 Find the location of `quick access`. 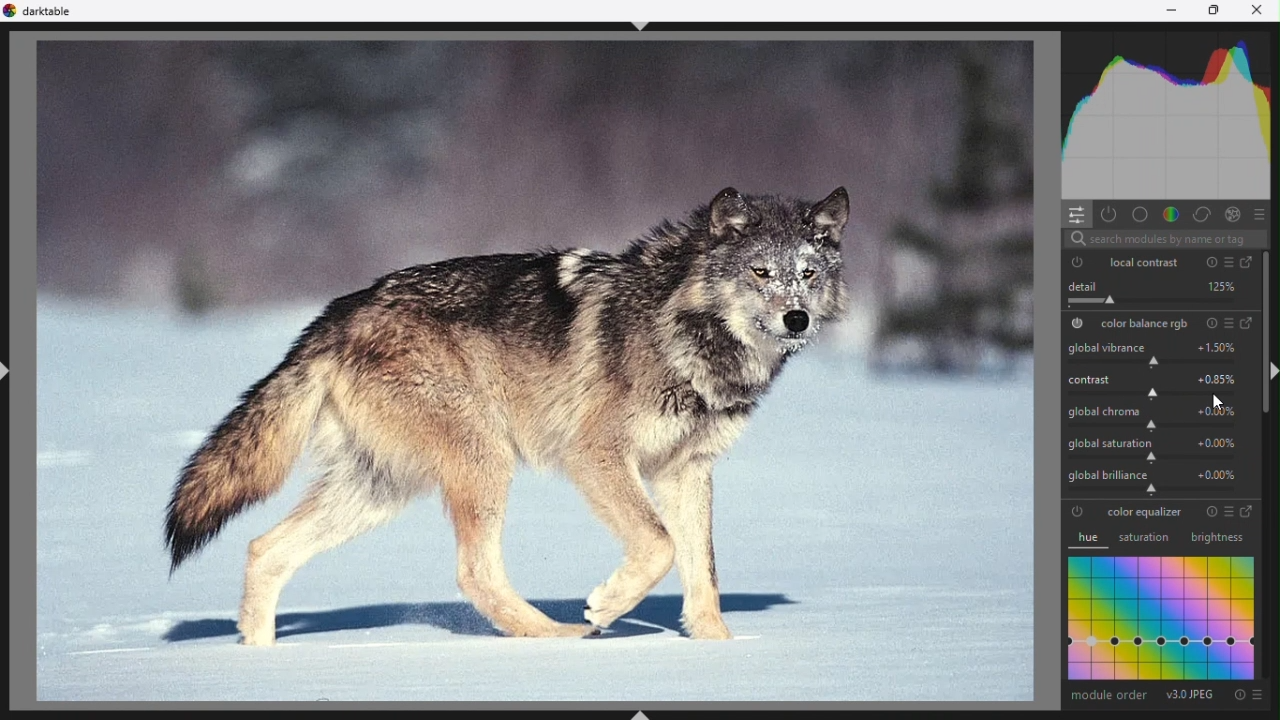

quick access is located at coordinates (1072, 214).